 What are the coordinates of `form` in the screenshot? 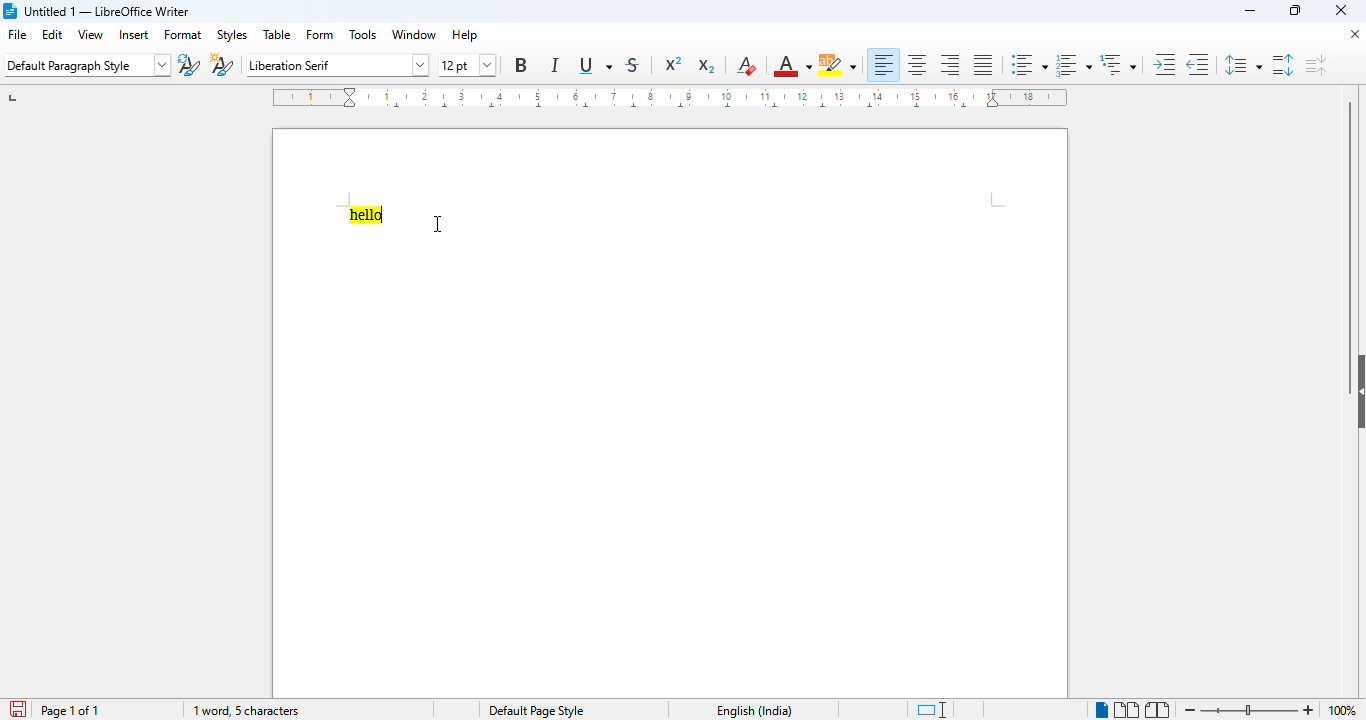 It's located at (321, 34).